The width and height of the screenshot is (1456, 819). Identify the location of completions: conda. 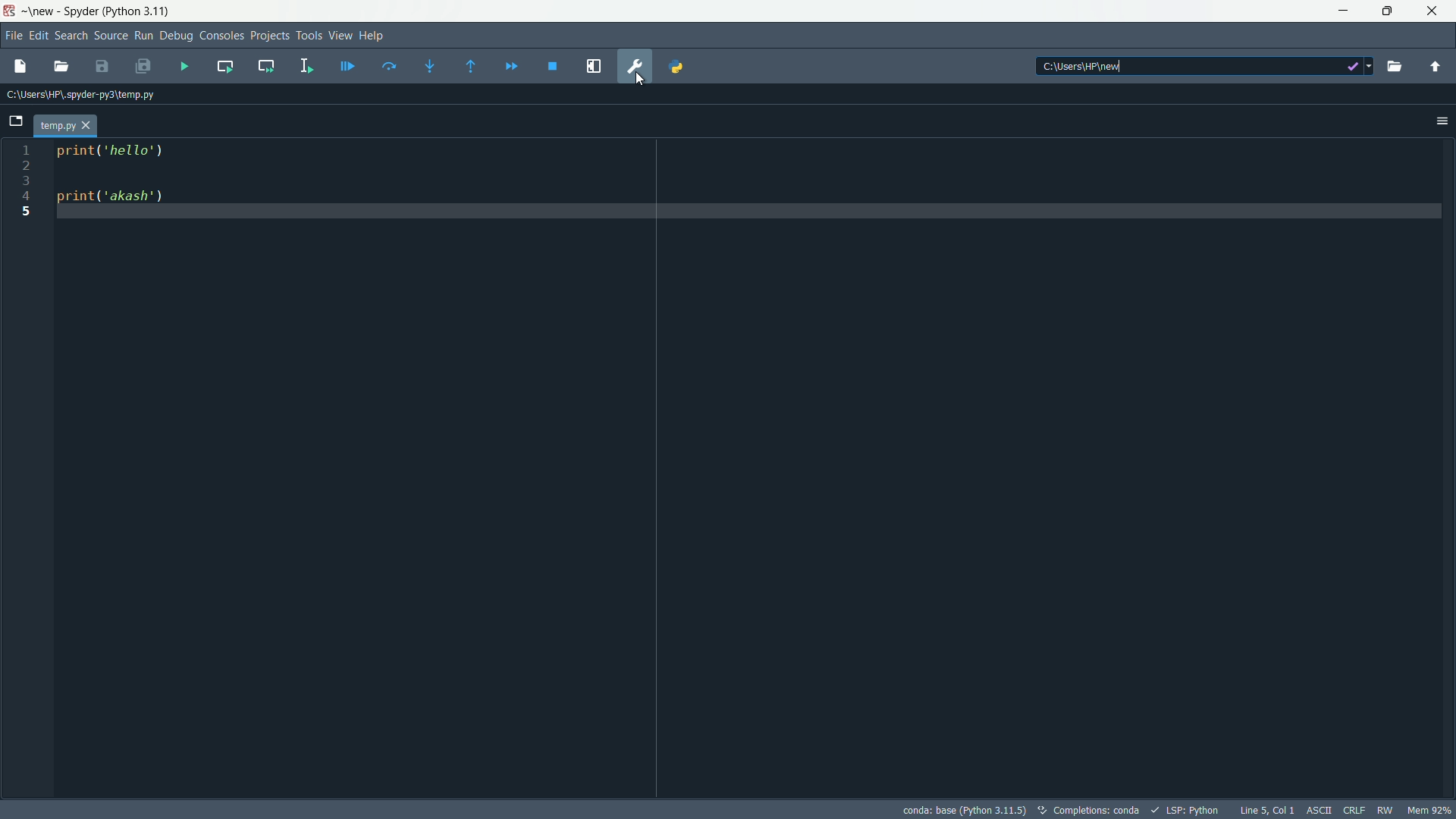
(1089, 810).